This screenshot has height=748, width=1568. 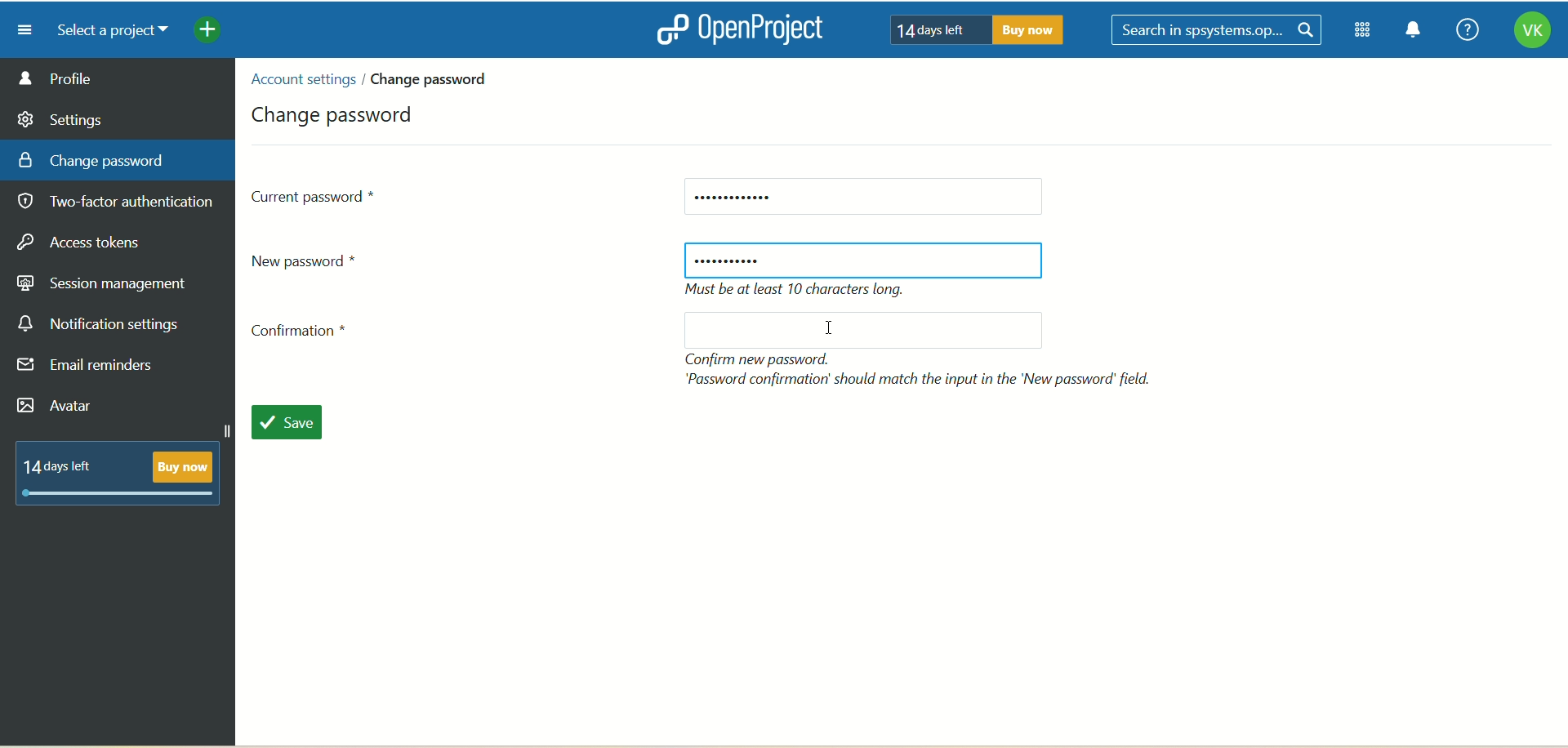 What do you see at coordinates (801, 291) in the screenshot?
I see `text` at bounding box center [801, 291].